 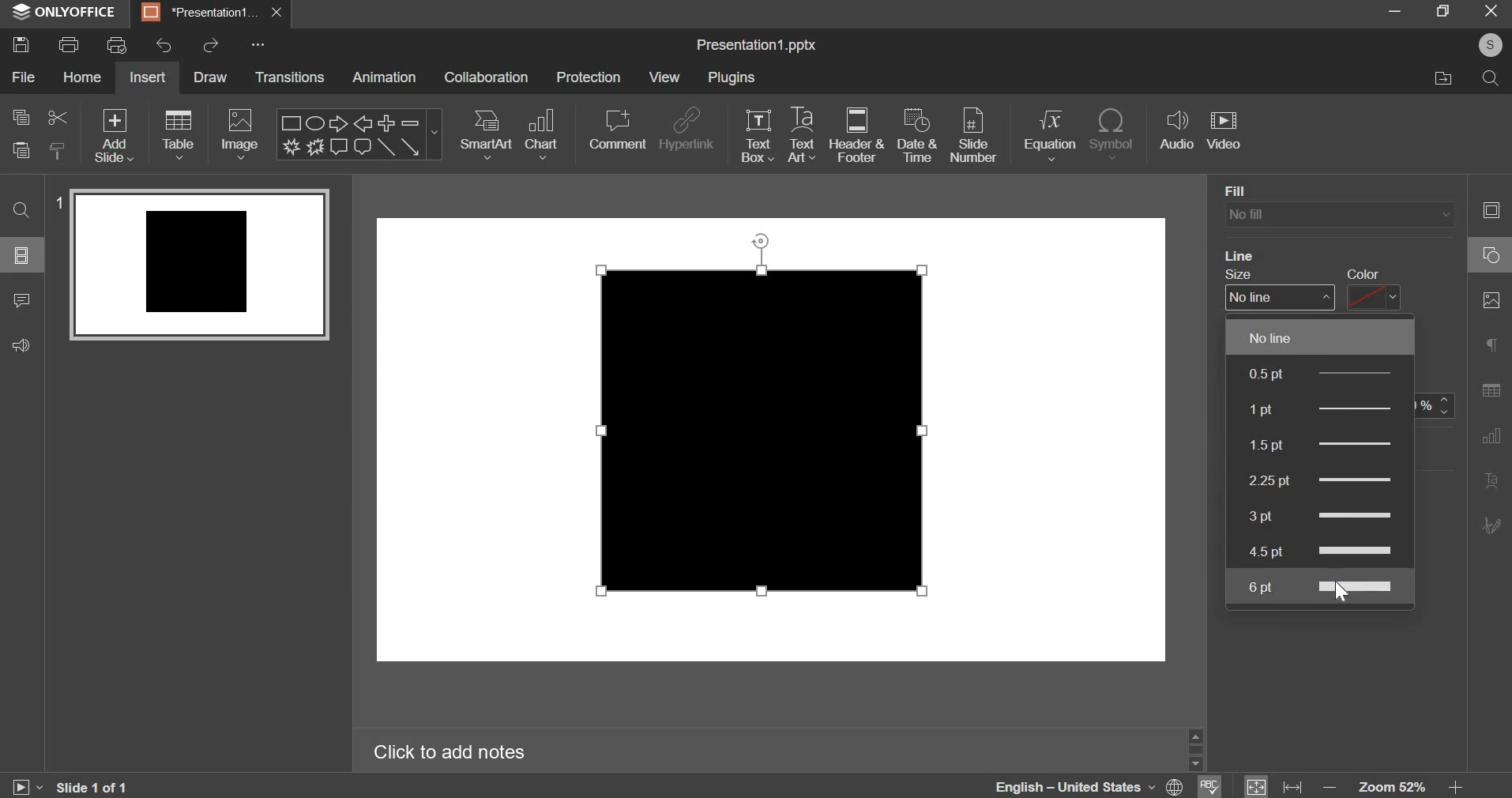 I want to click on S Profile, so click(x=1490, y=45).